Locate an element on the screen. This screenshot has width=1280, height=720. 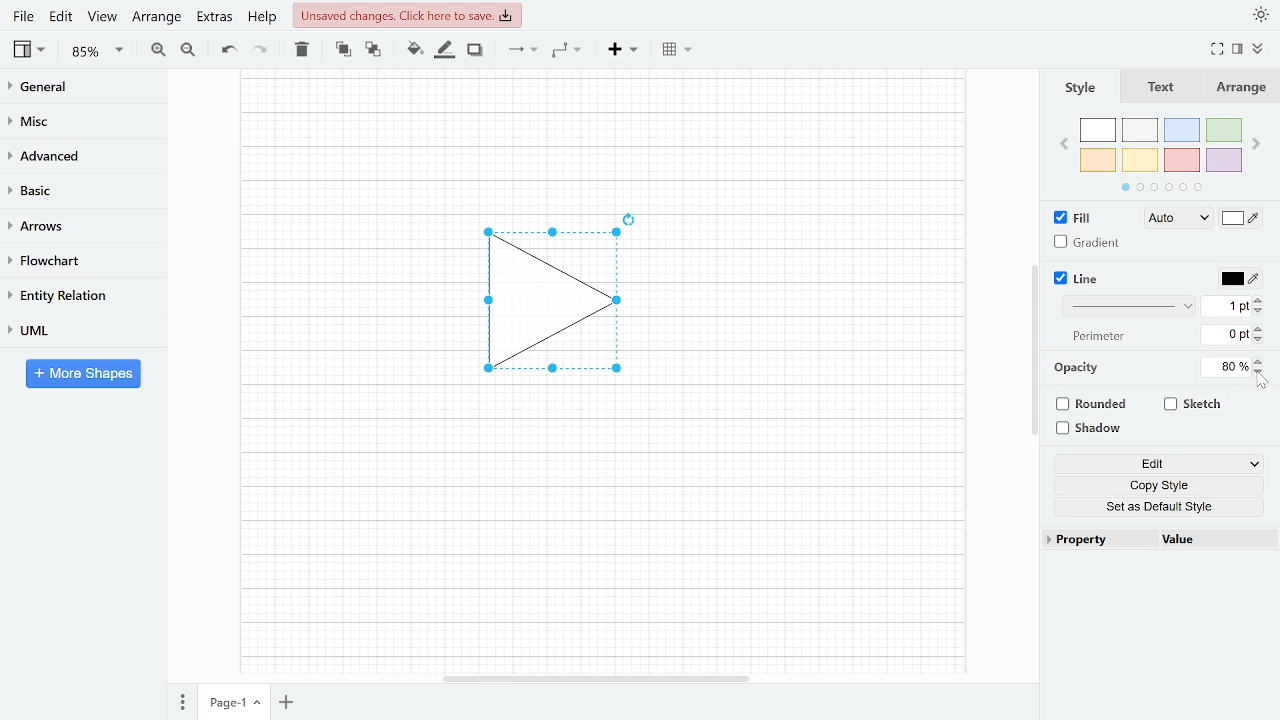
Flowchart is located at coordinates (75, 261).